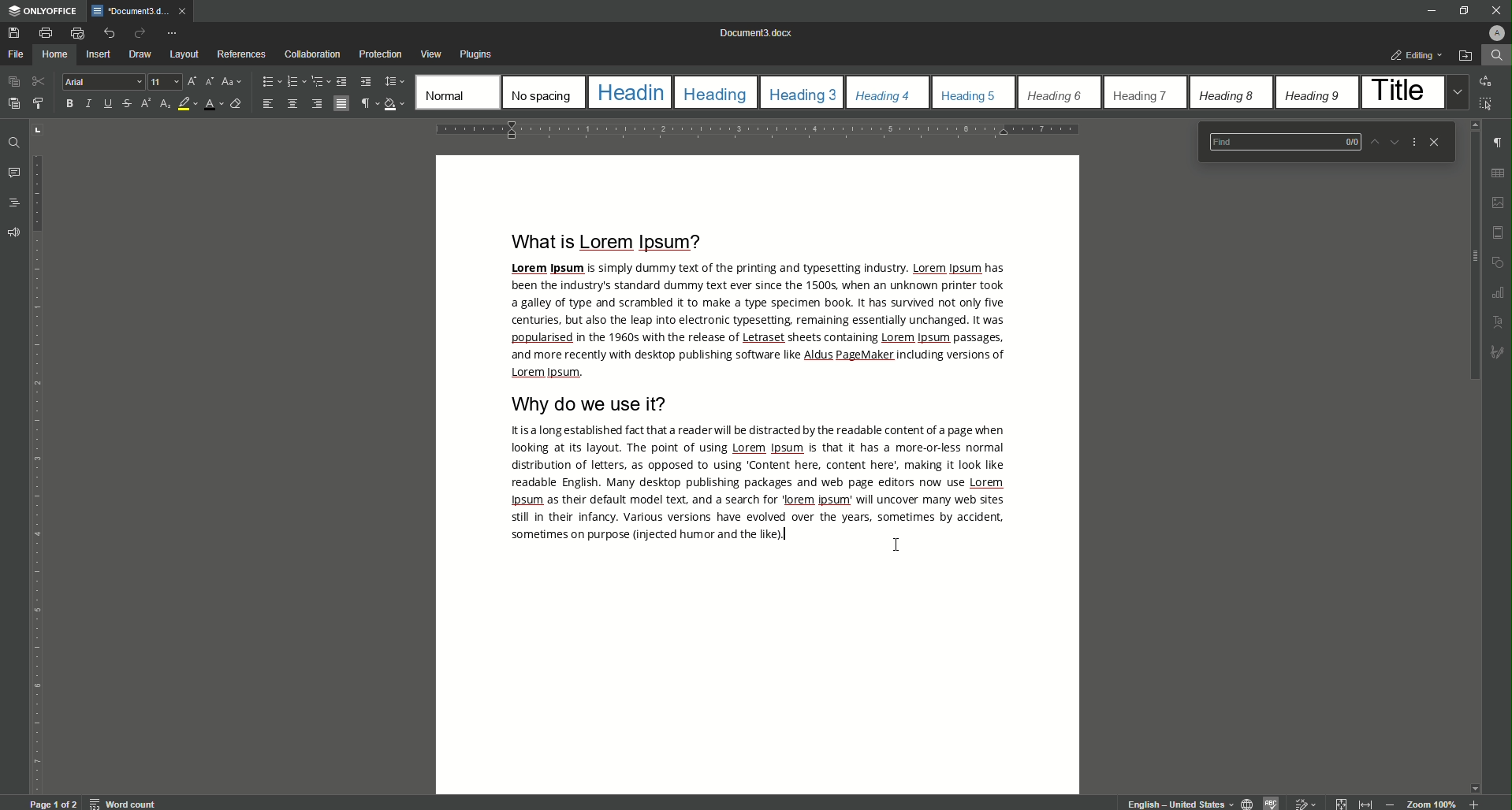 The width and height of the screenshot is (1512, 810). What do you see at coordinates (12, 82) in the screenshot?
I see `Copy` at bounding box center [12, 82].